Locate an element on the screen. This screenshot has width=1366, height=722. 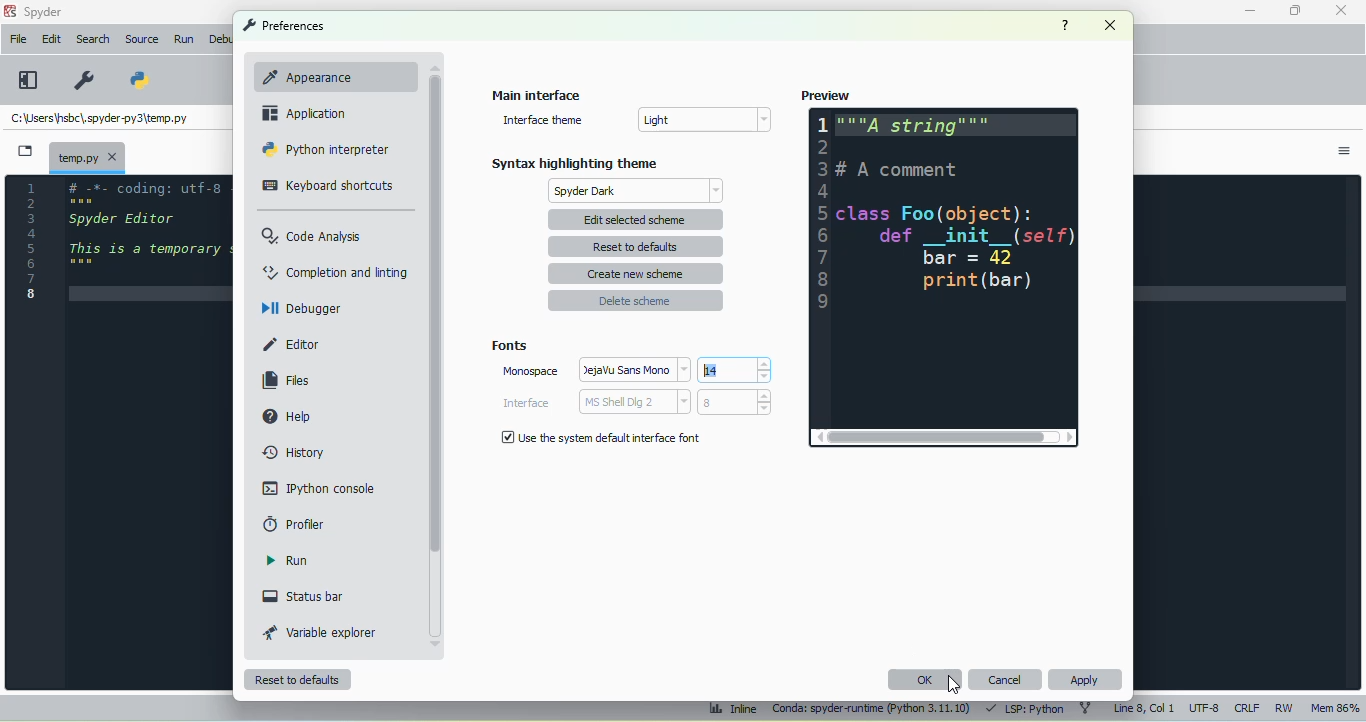
help is located at coordinates (285, 415).